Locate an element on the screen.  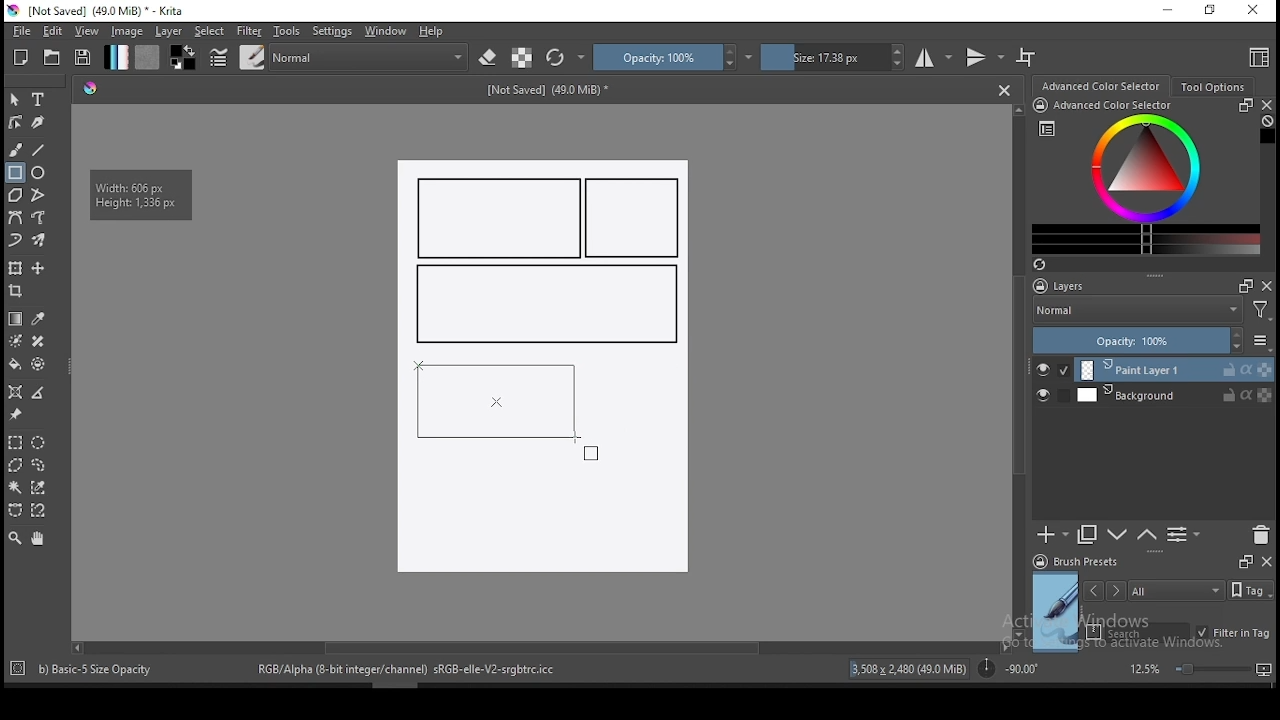
freehand path tool is located at coordinates (40, 218).